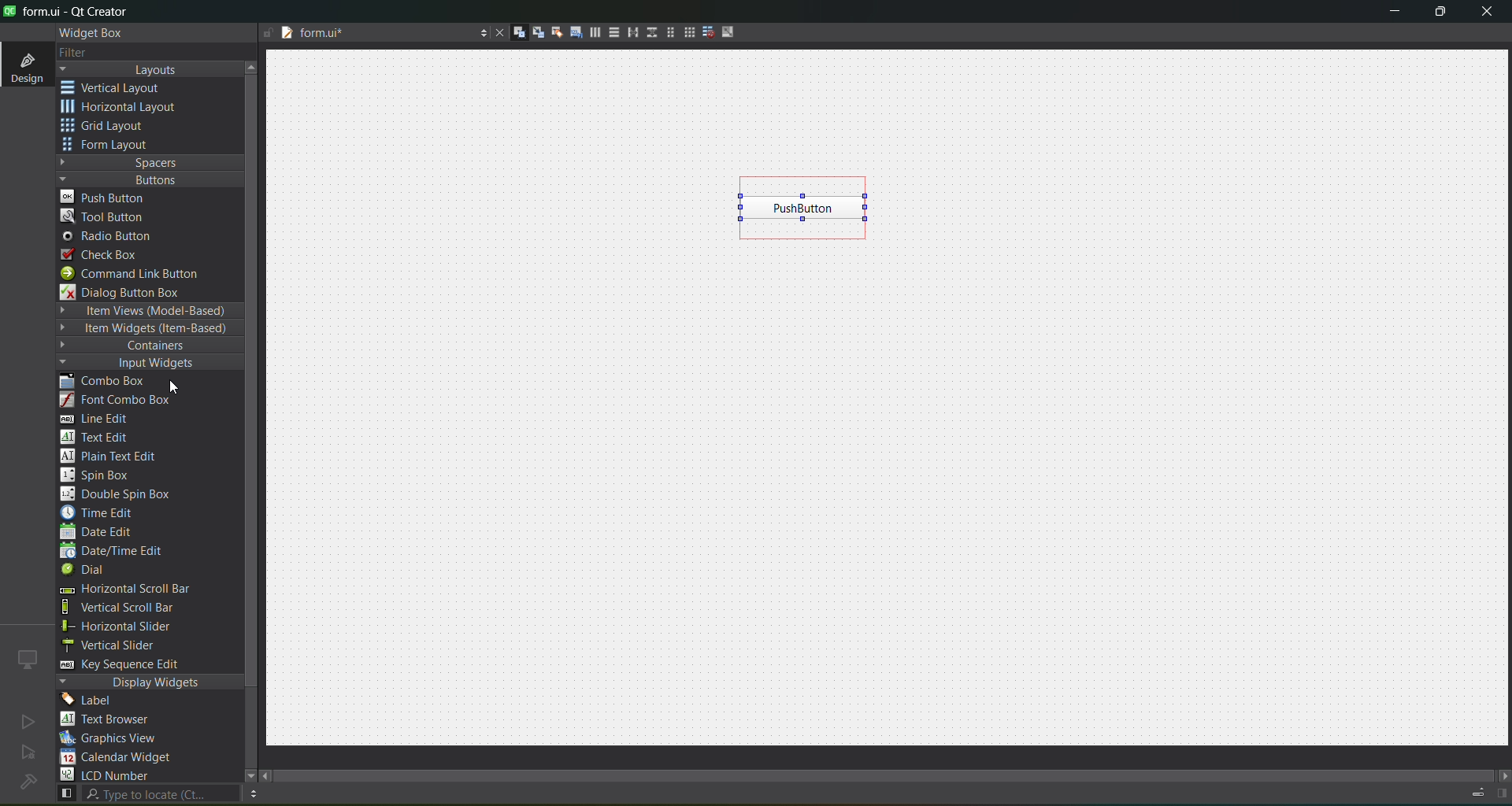 This screenshot has width=1512, height=806. Describe the element at coordinates (628, 33) in the screenshot. I see `horizontal splitter` at that location.